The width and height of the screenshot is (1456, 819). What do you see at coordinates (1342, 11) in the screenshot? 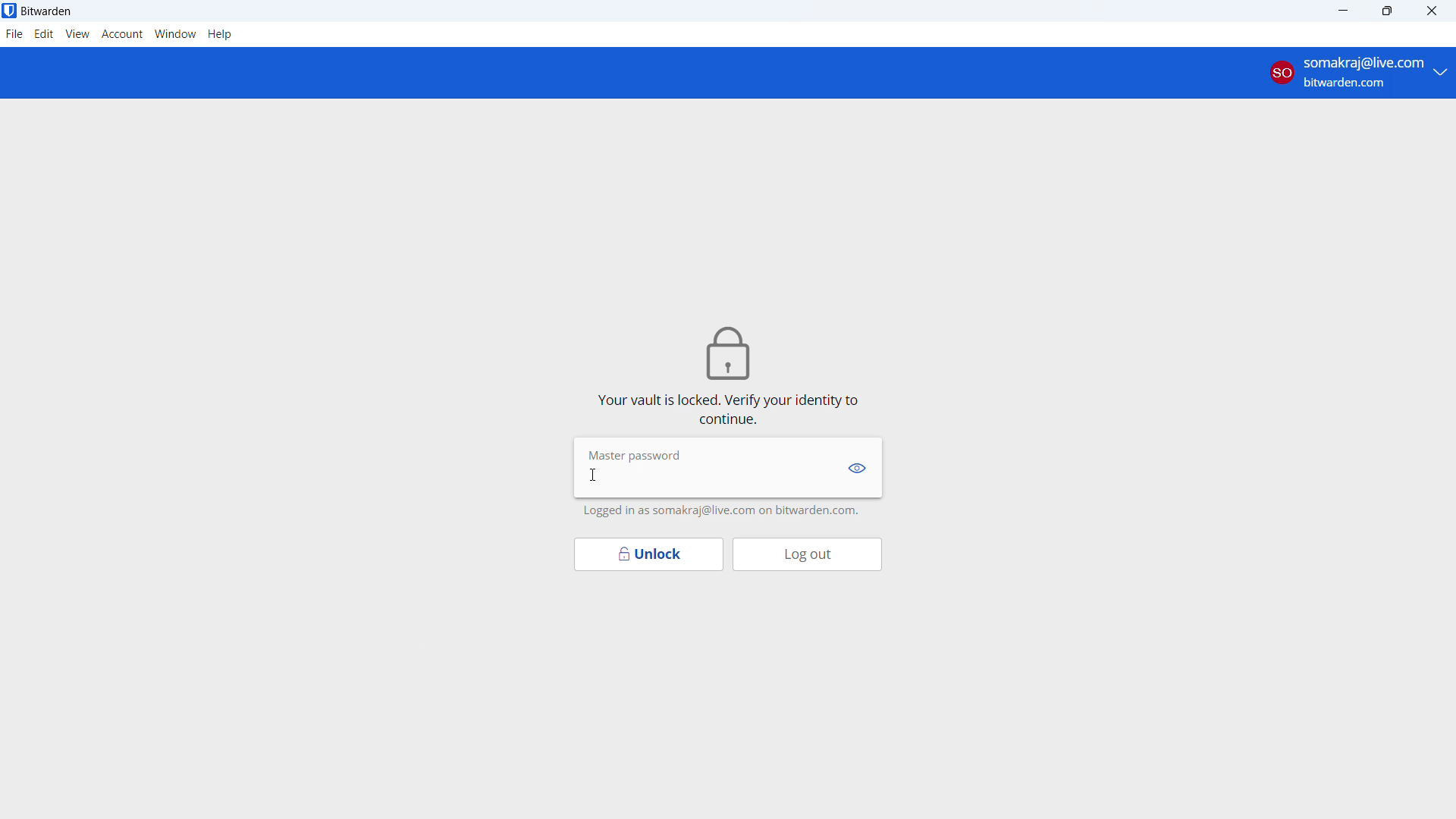
I see `minimize` at bounding box center [1342, 11].